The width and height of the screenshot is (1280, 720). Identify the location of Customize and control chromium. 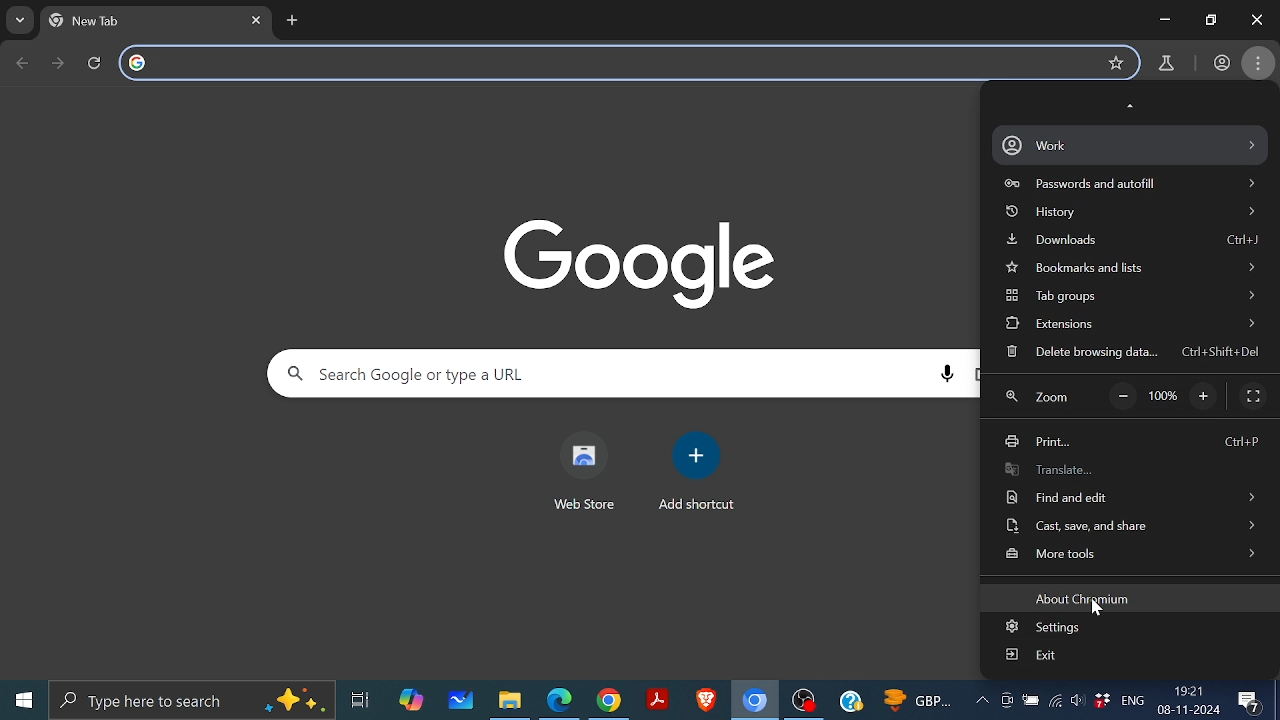
(1258, 63).